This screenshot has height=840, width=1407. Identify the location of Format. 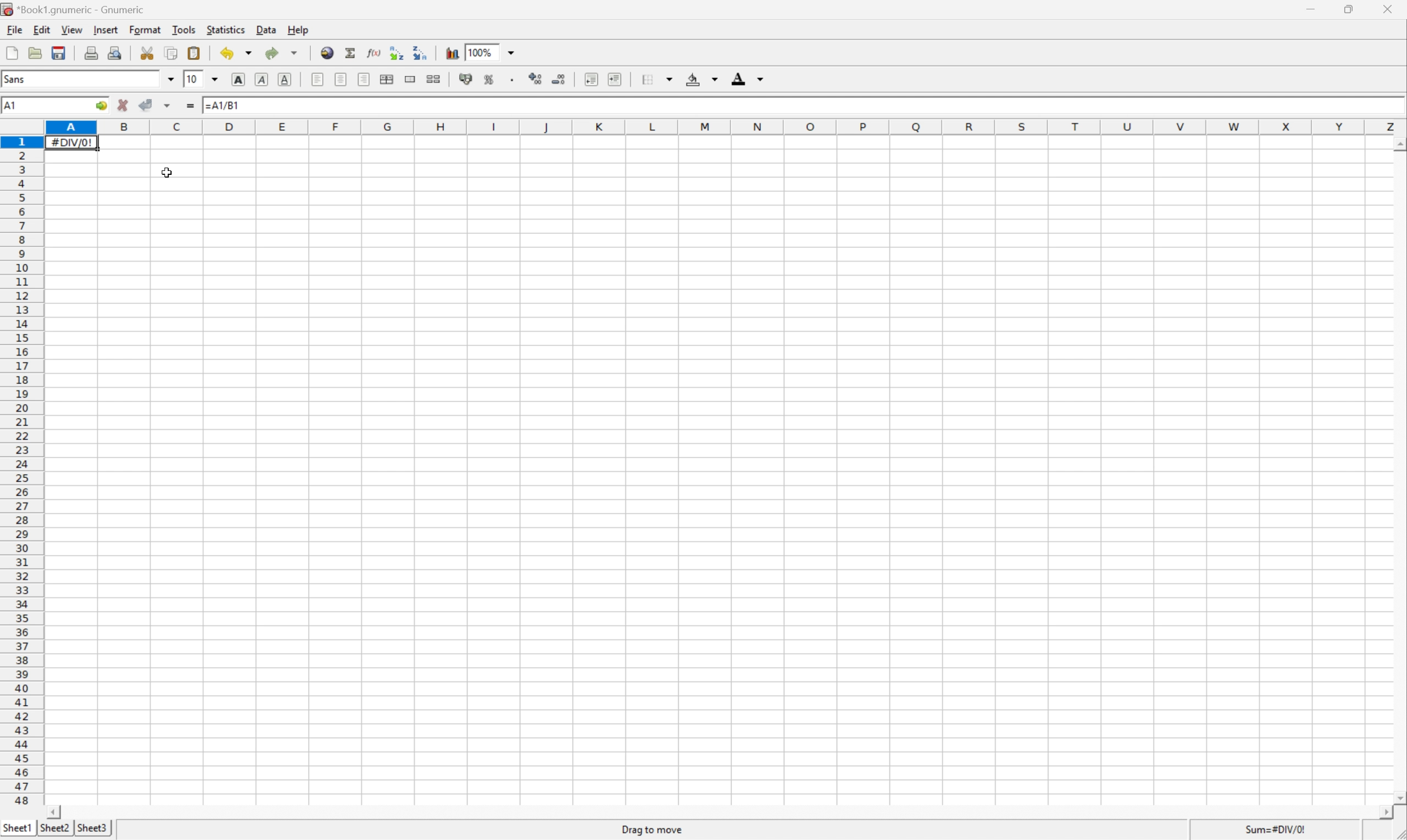
(146, 29).